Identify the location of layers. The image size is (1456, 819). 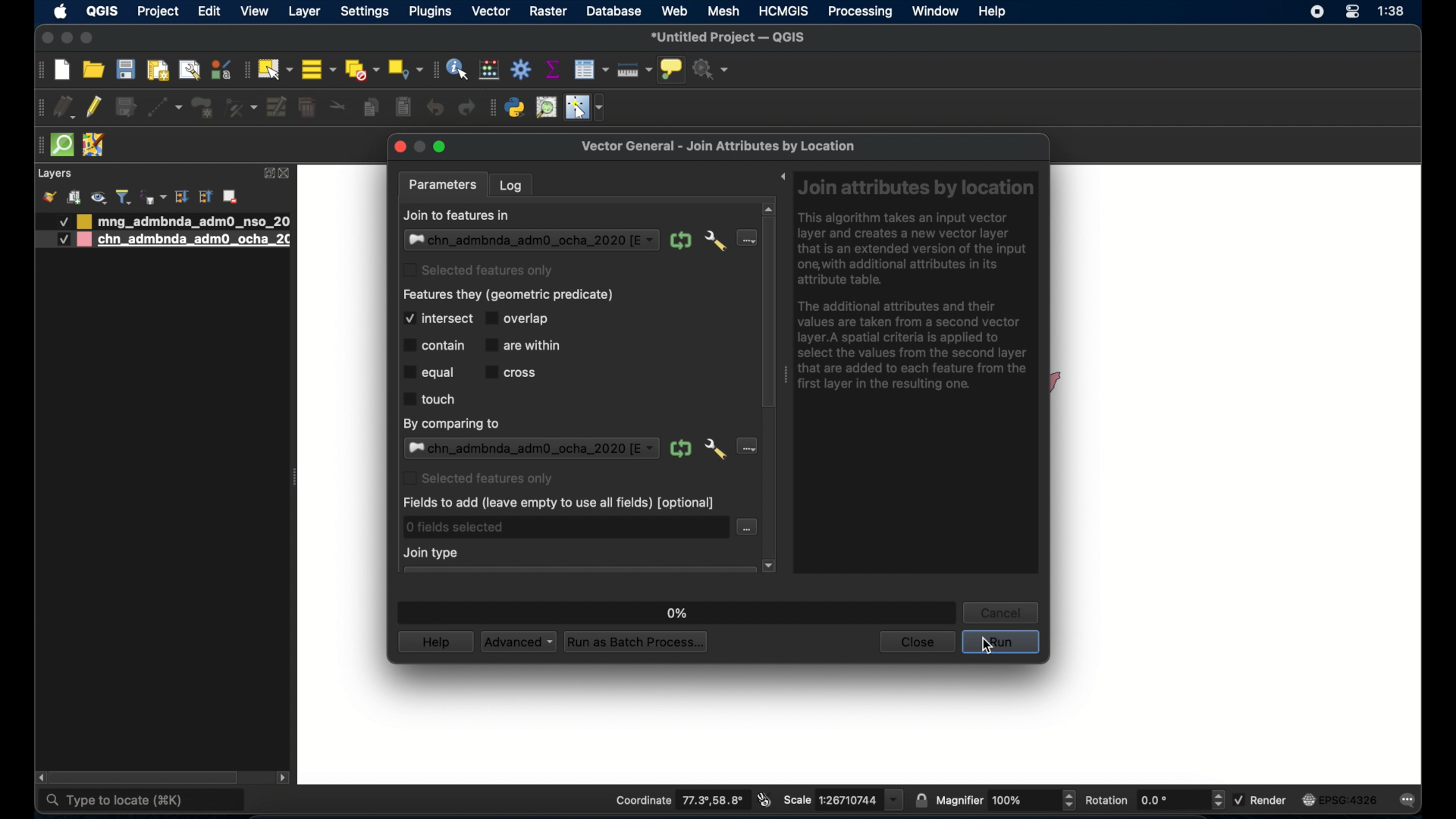
(54, 174).